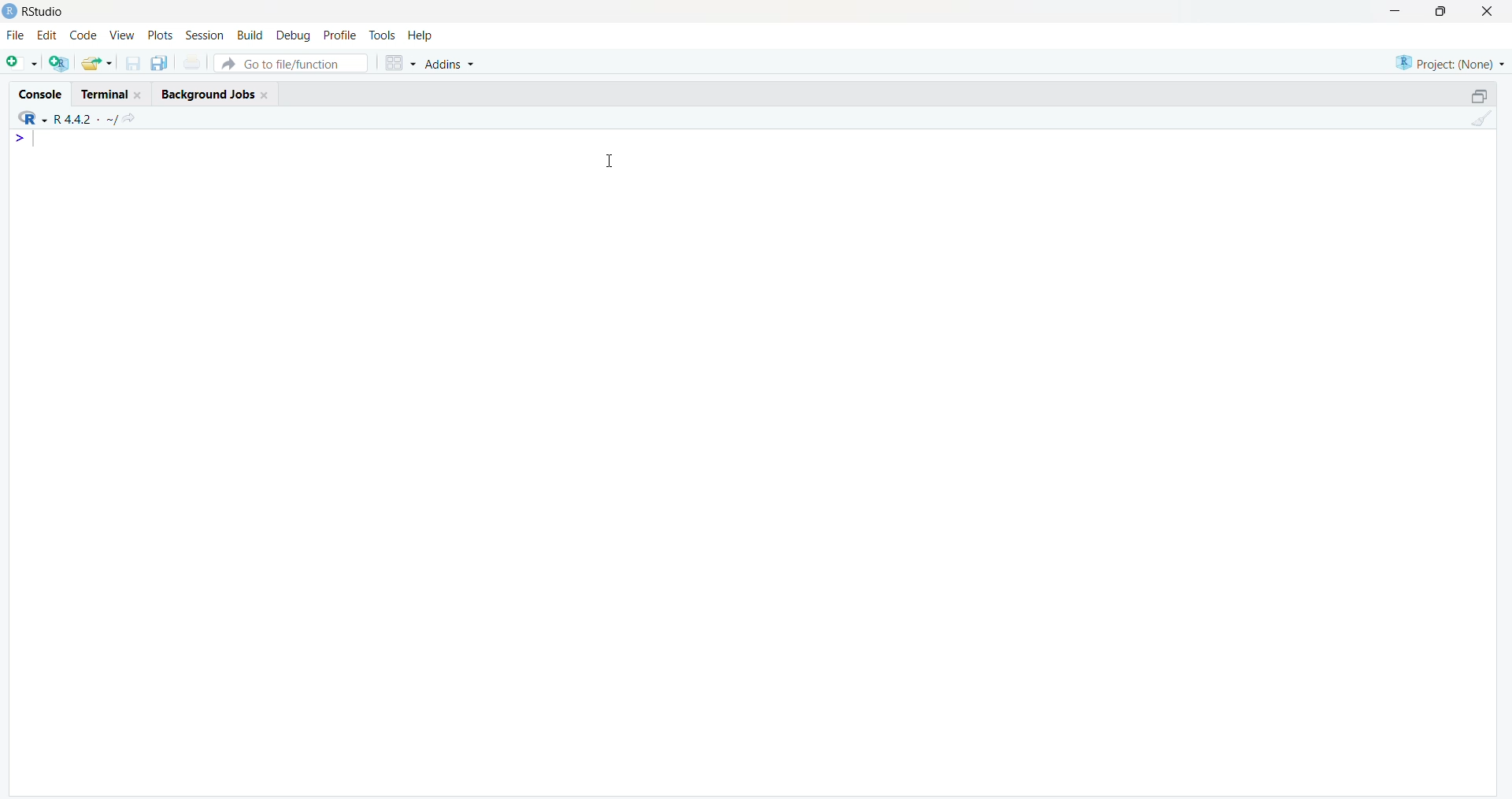 This screenshot has width=1512, height=799. I want to click on go to file/function, so click(292, 63).